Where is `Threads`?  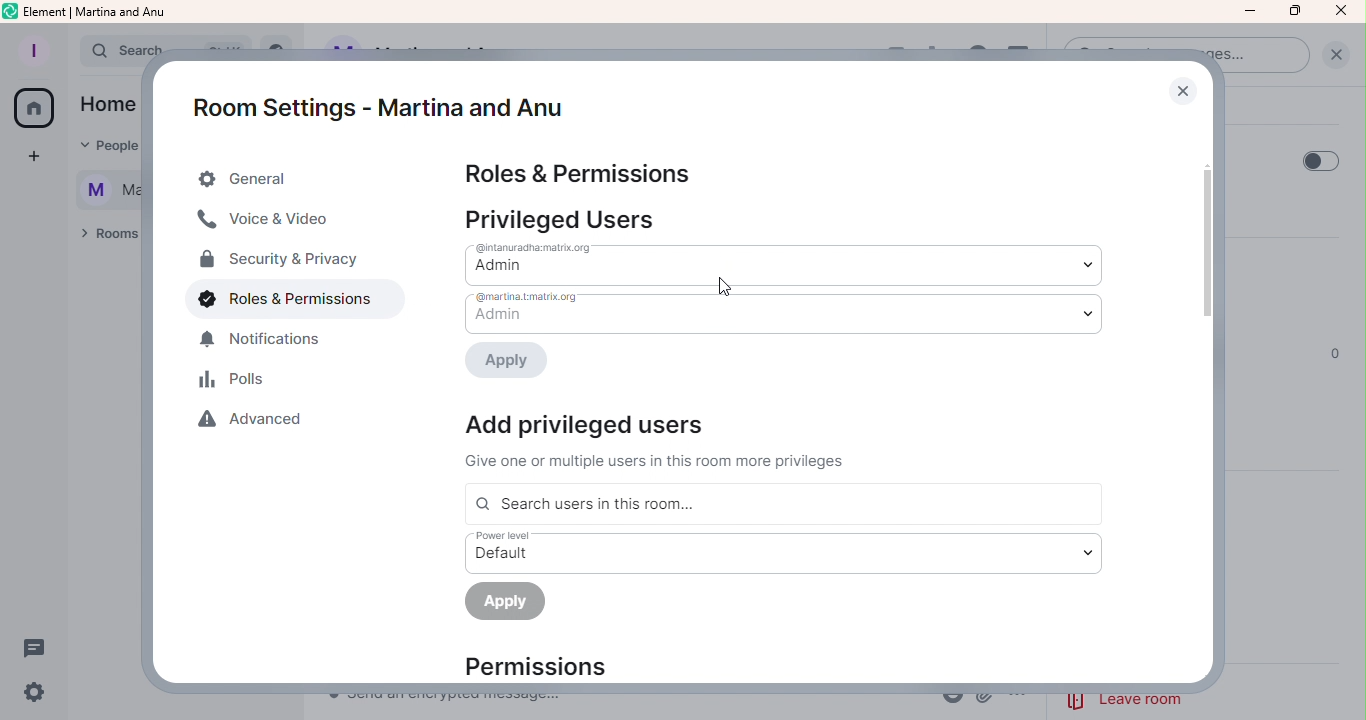
Threads is located at coordinates (40, 647).